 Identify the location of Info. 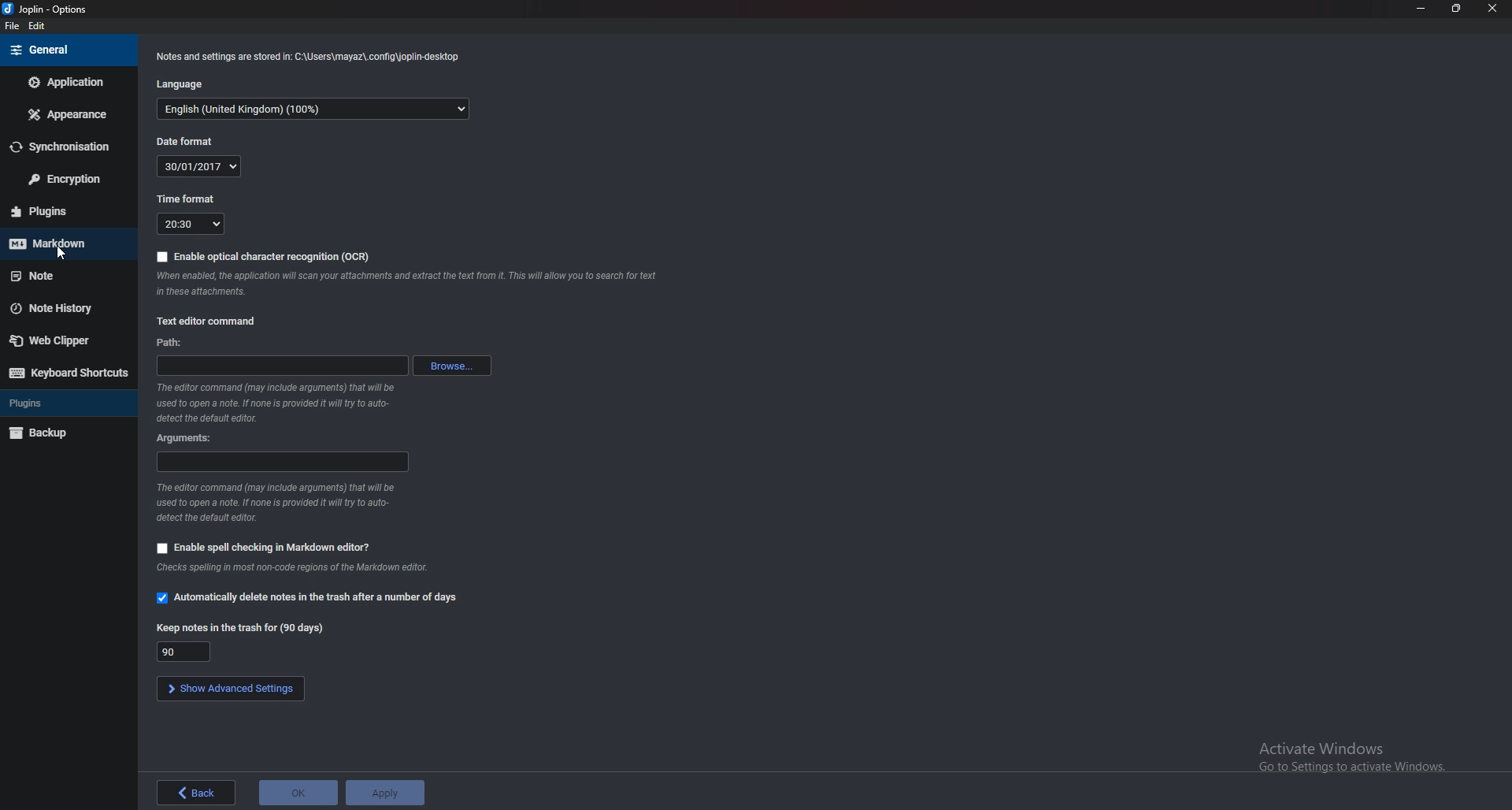
(409, 284).